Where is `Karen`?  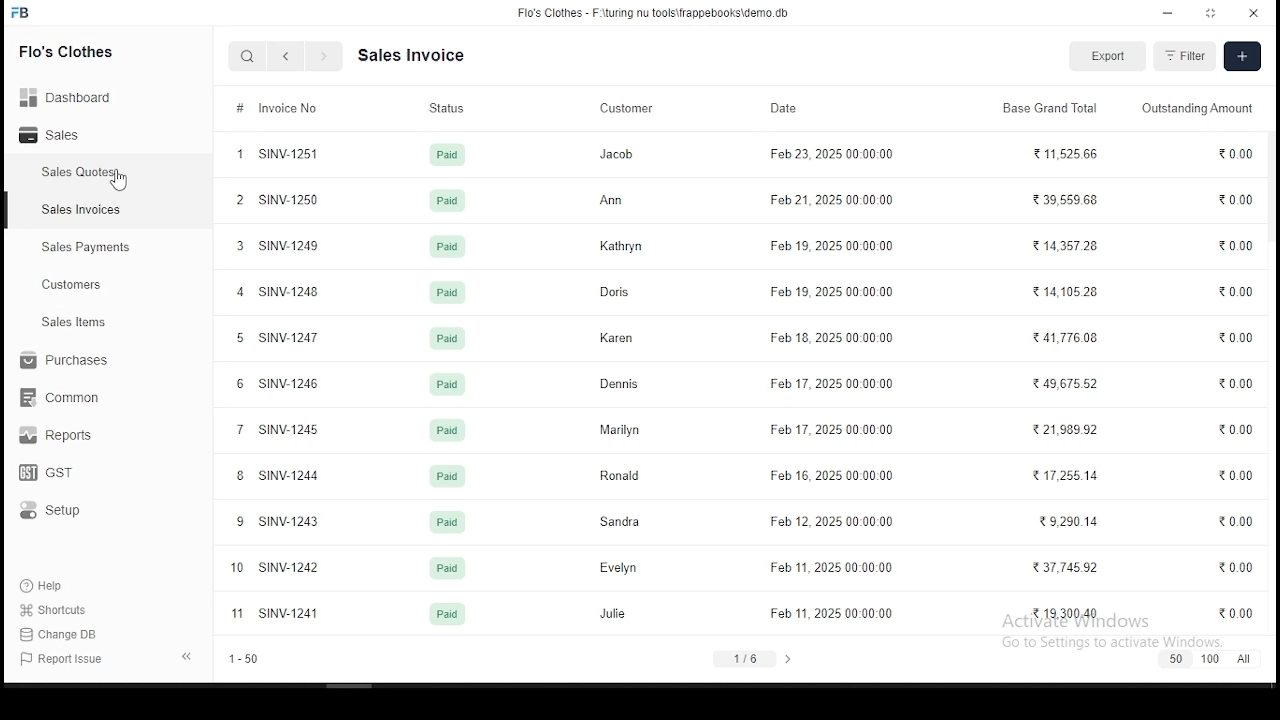 Karen is located at coordinates (619, 335).